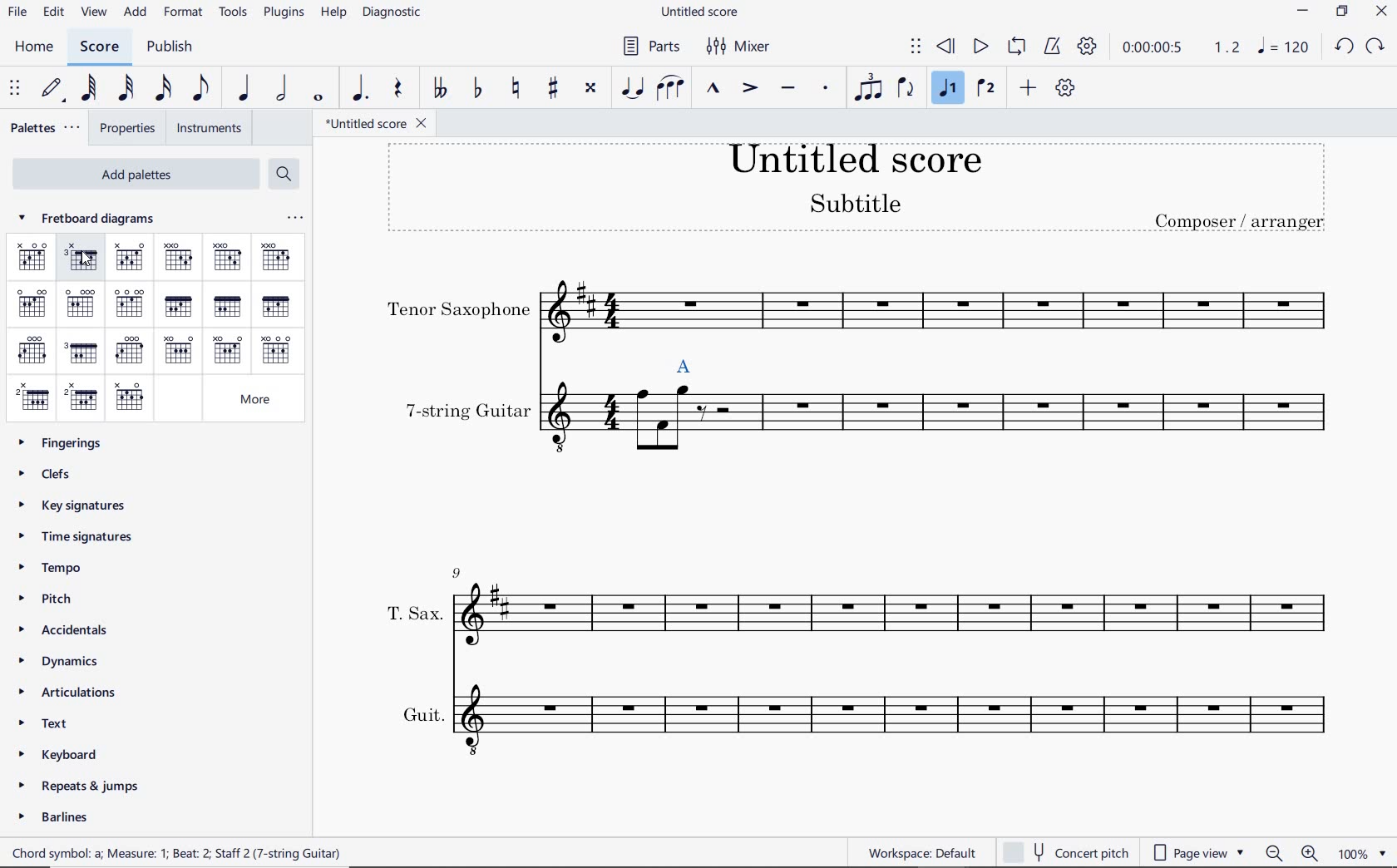 Image resolution: width=1397 pixels, height=868 pixels. What do you see at coordinates (34, 301) in the screenshot?
I see `E` at bounding box center [34, 301].